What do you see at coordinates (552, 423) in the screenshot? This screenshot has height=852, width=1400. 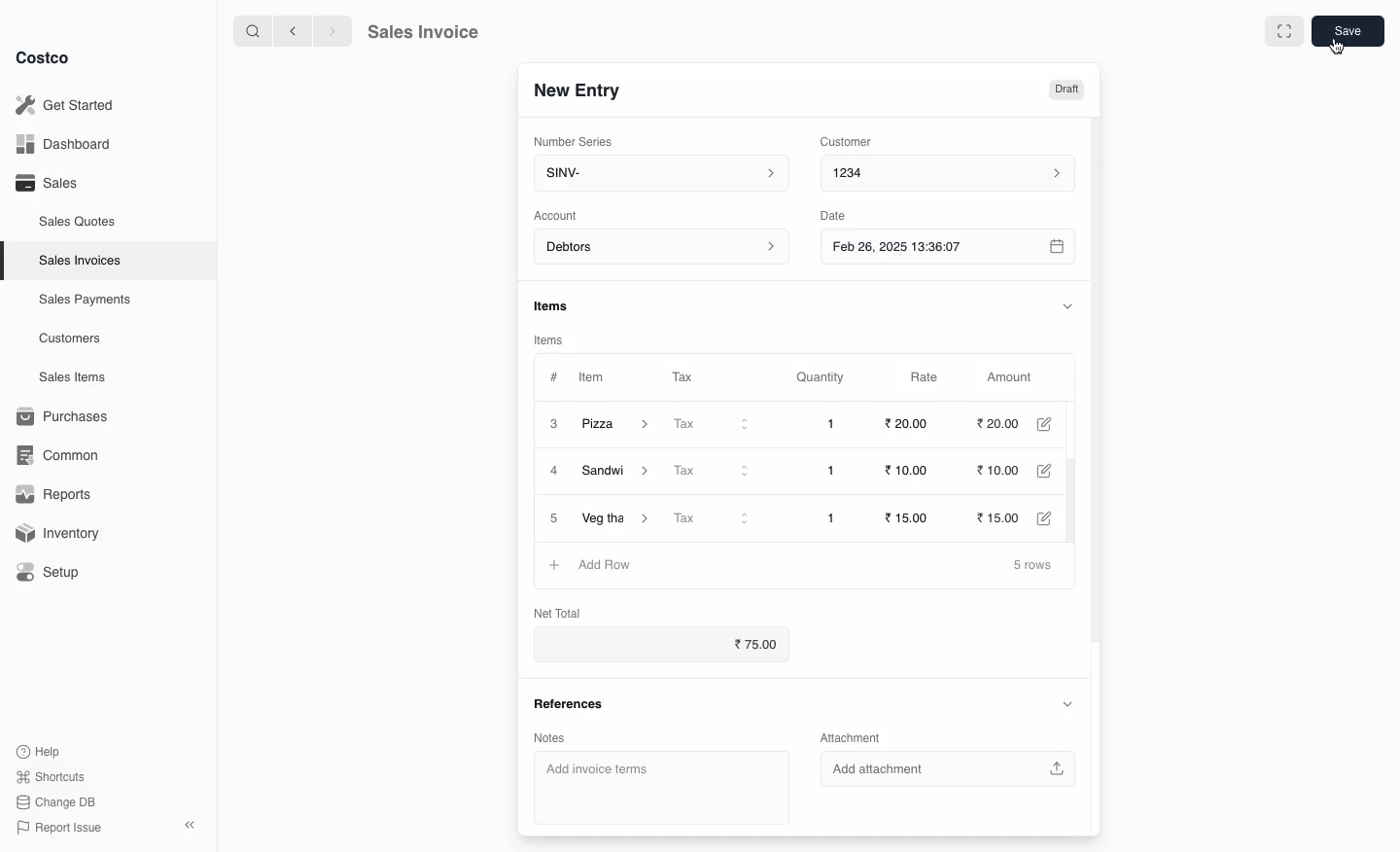 I see `3` at bounding box center [552, 423].